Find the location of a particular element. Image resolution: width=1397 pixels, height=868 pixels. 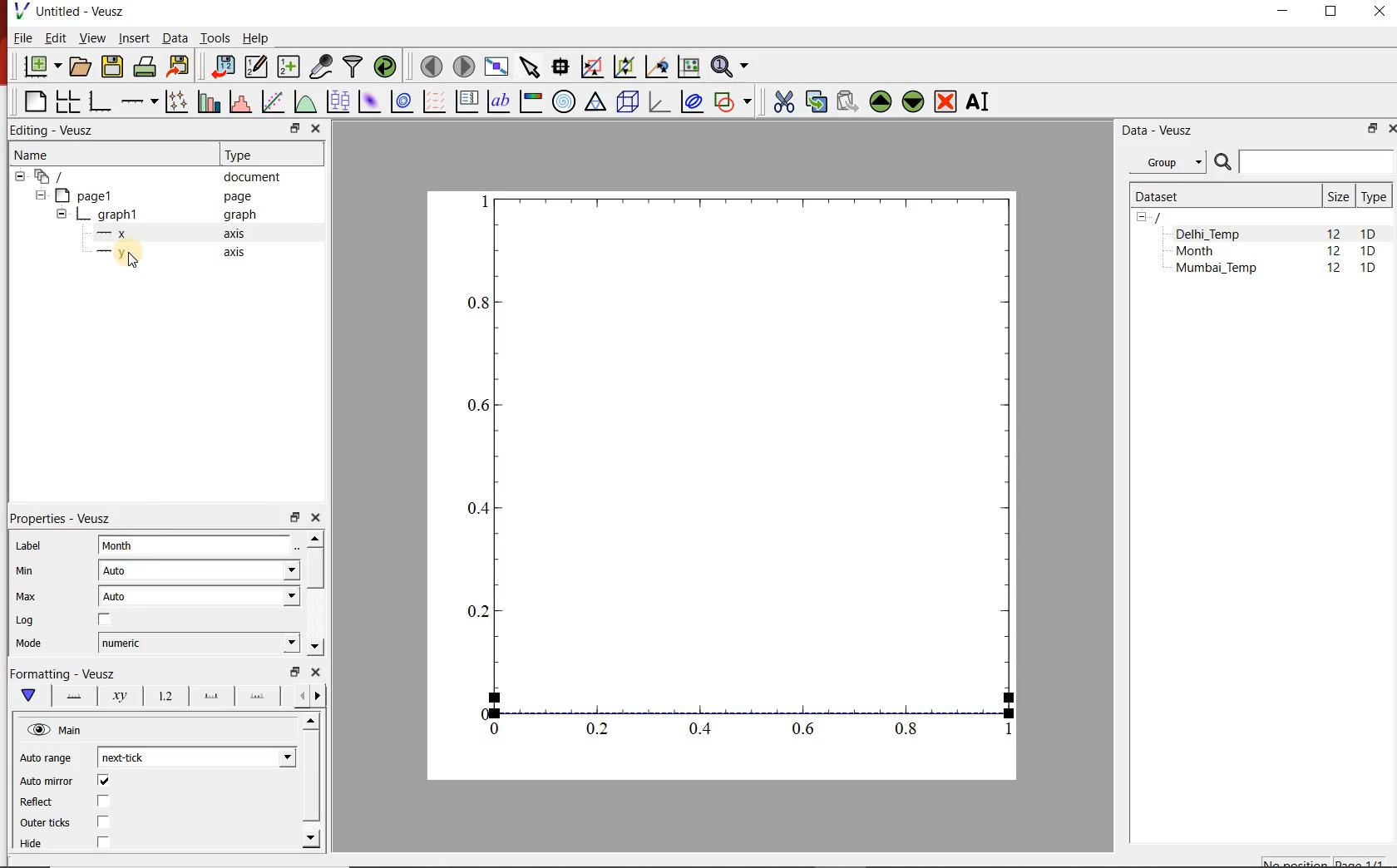

scrollbar is located at coordinates (314, 594).